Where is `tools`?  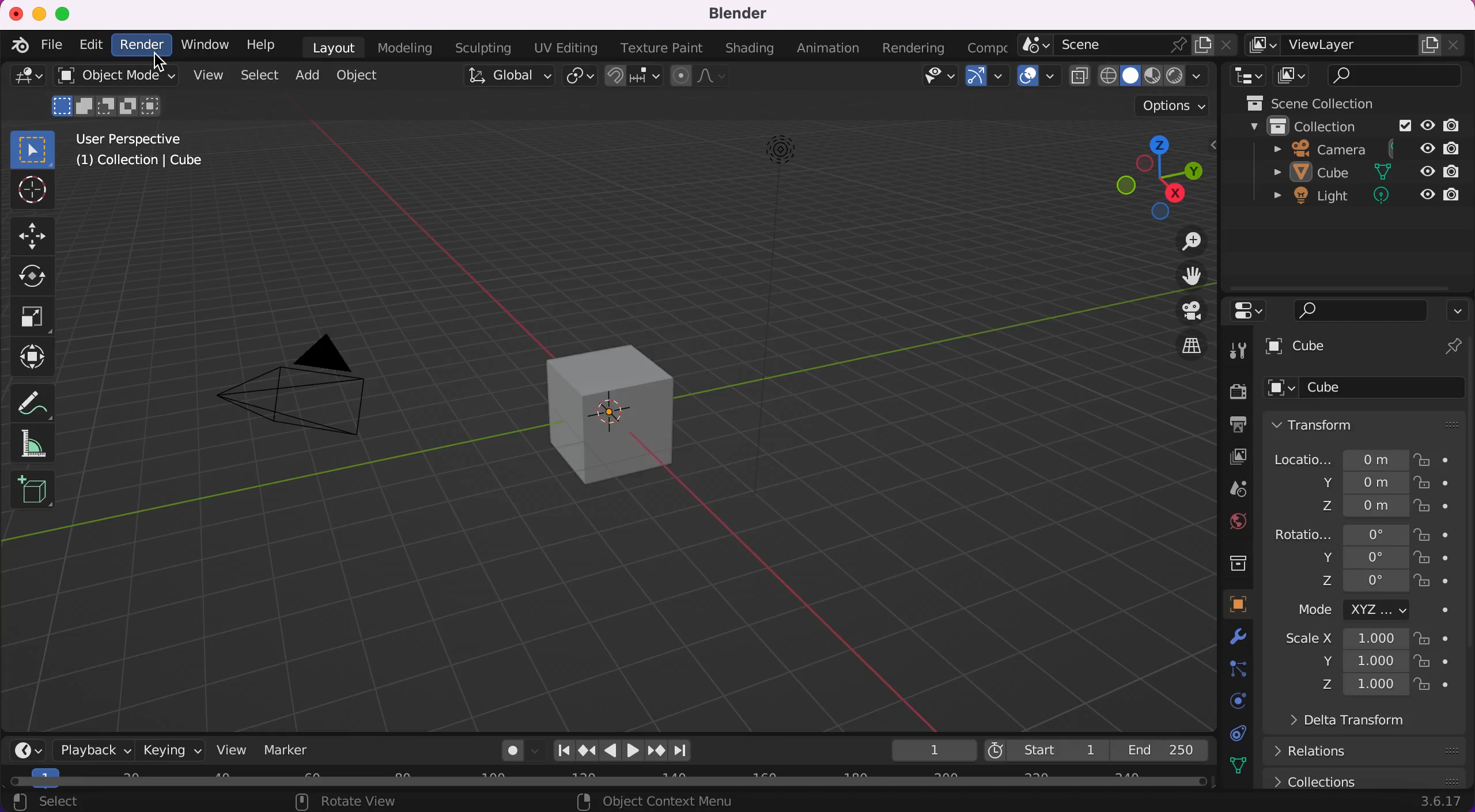 tools is located at coordinates (1239, 350).